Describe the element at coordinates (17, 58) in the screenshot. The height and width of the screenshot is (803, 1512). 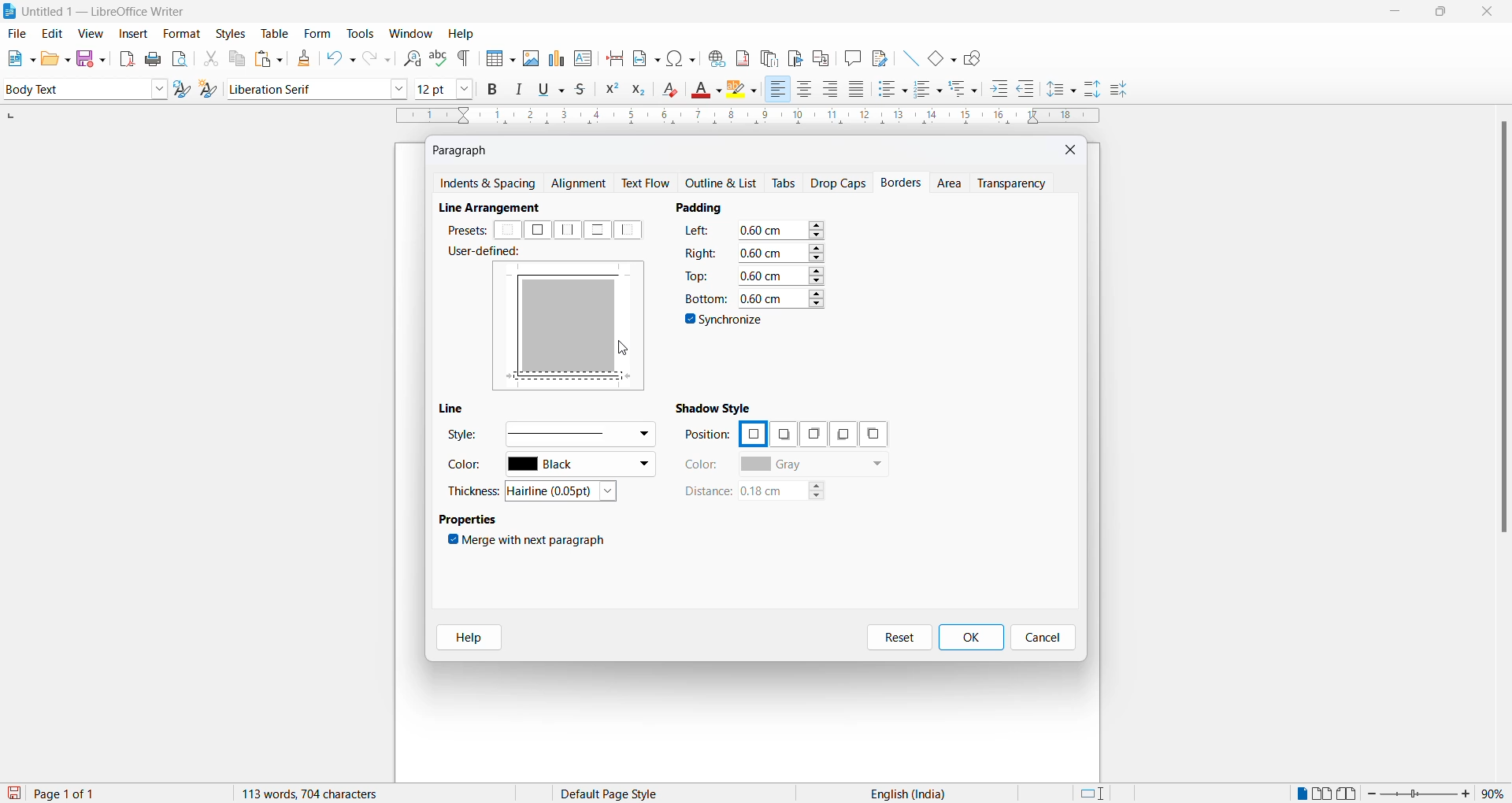
I see `new file options` at that location.